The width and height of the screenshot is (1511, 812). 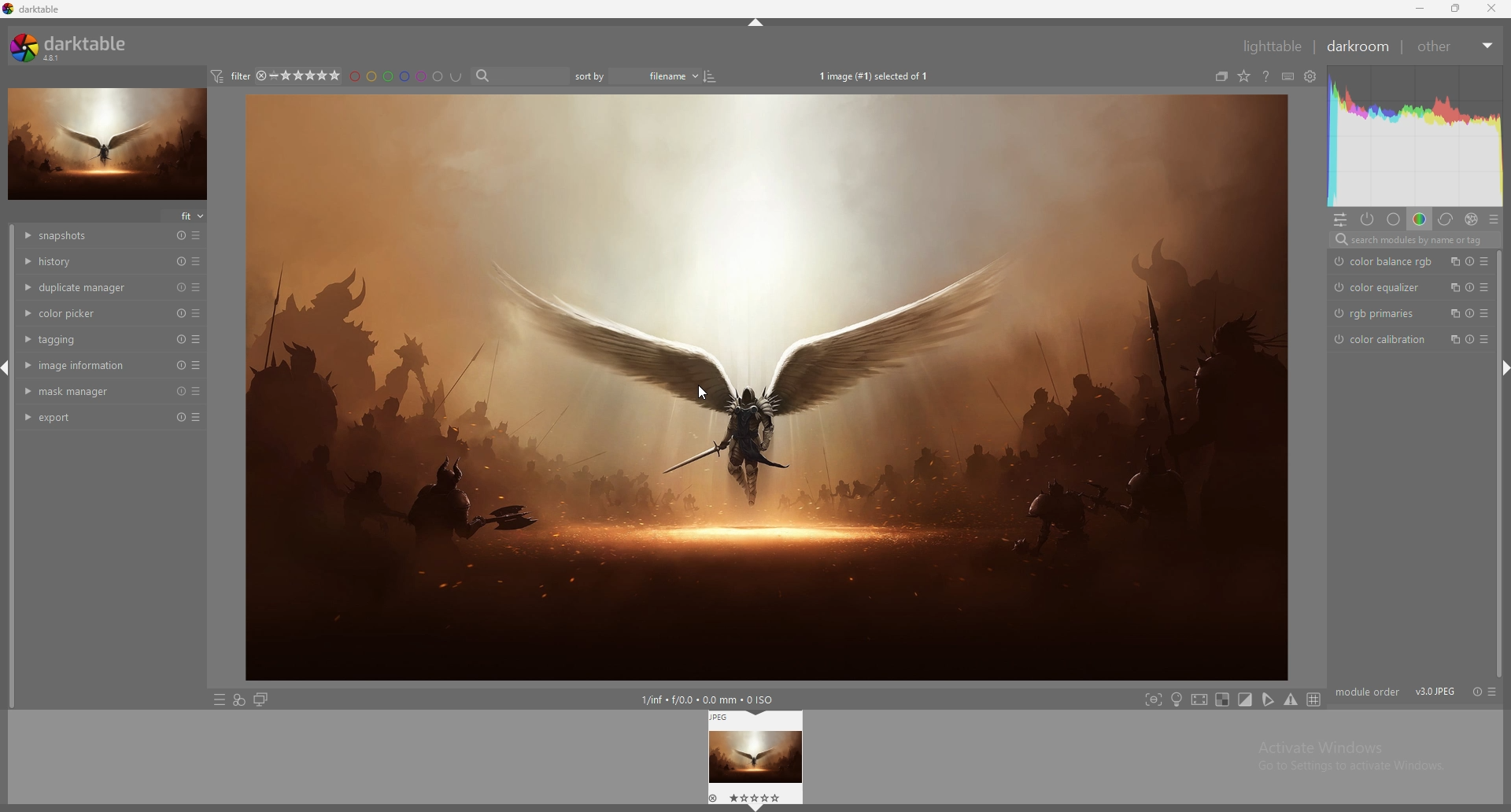 I want to click on image, so click(x=767, y=386).